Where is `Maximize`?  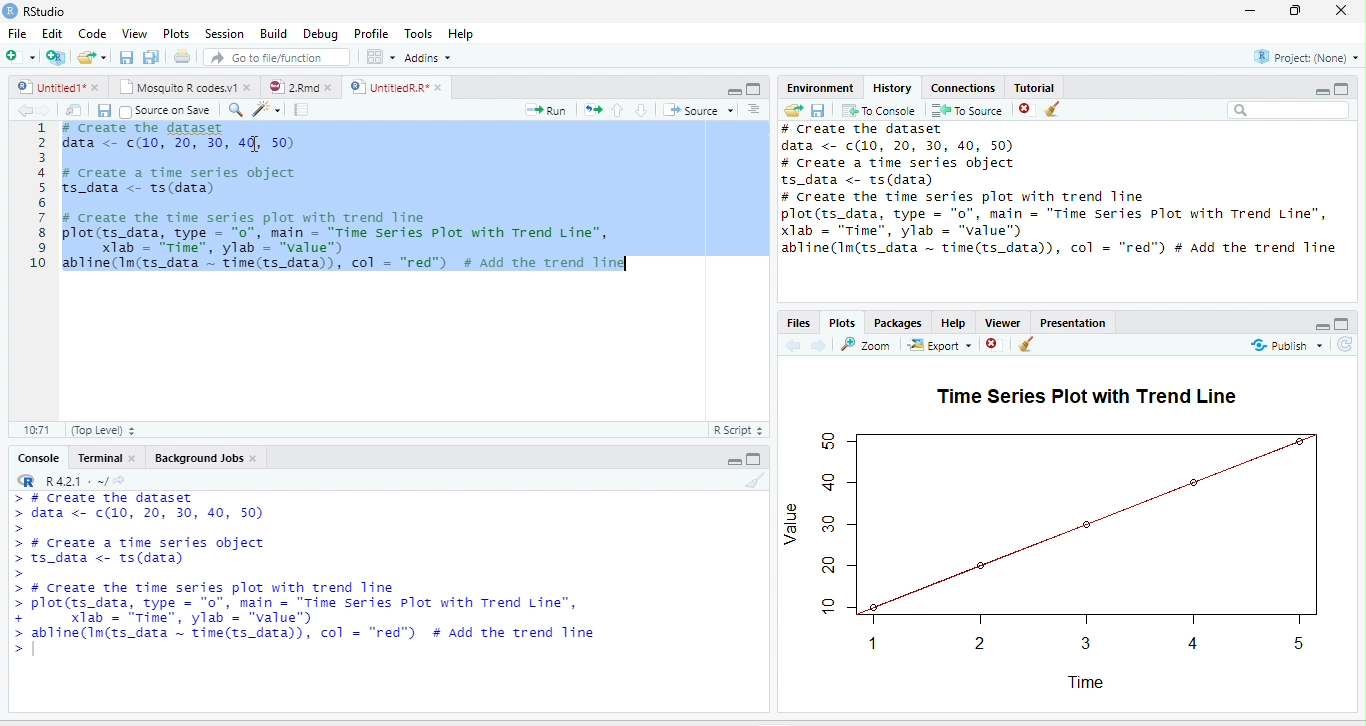 Maximize is located at coordinates (1343, 324).